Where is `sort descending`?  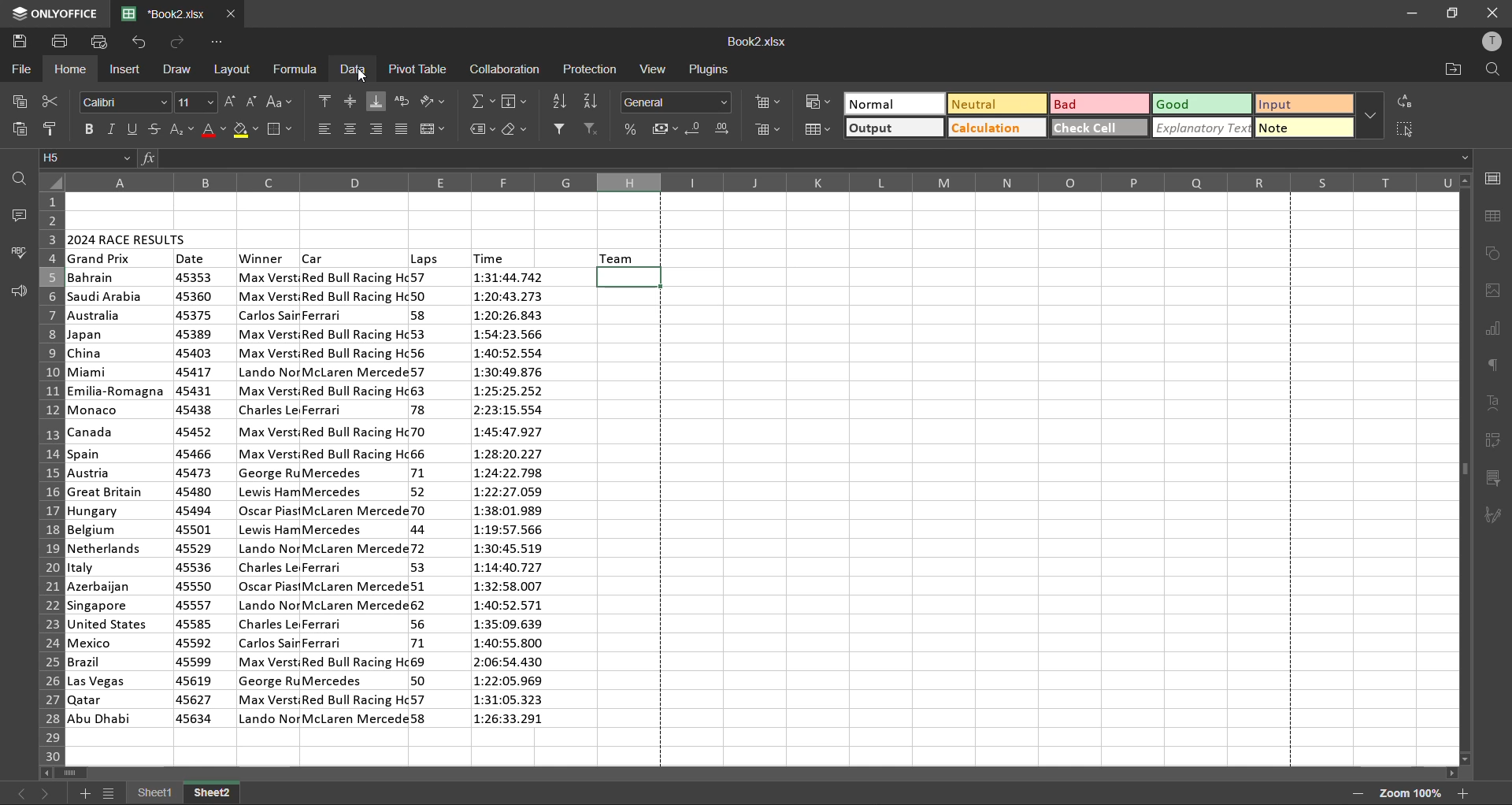 sort descending is located at coordinates (594, 101).